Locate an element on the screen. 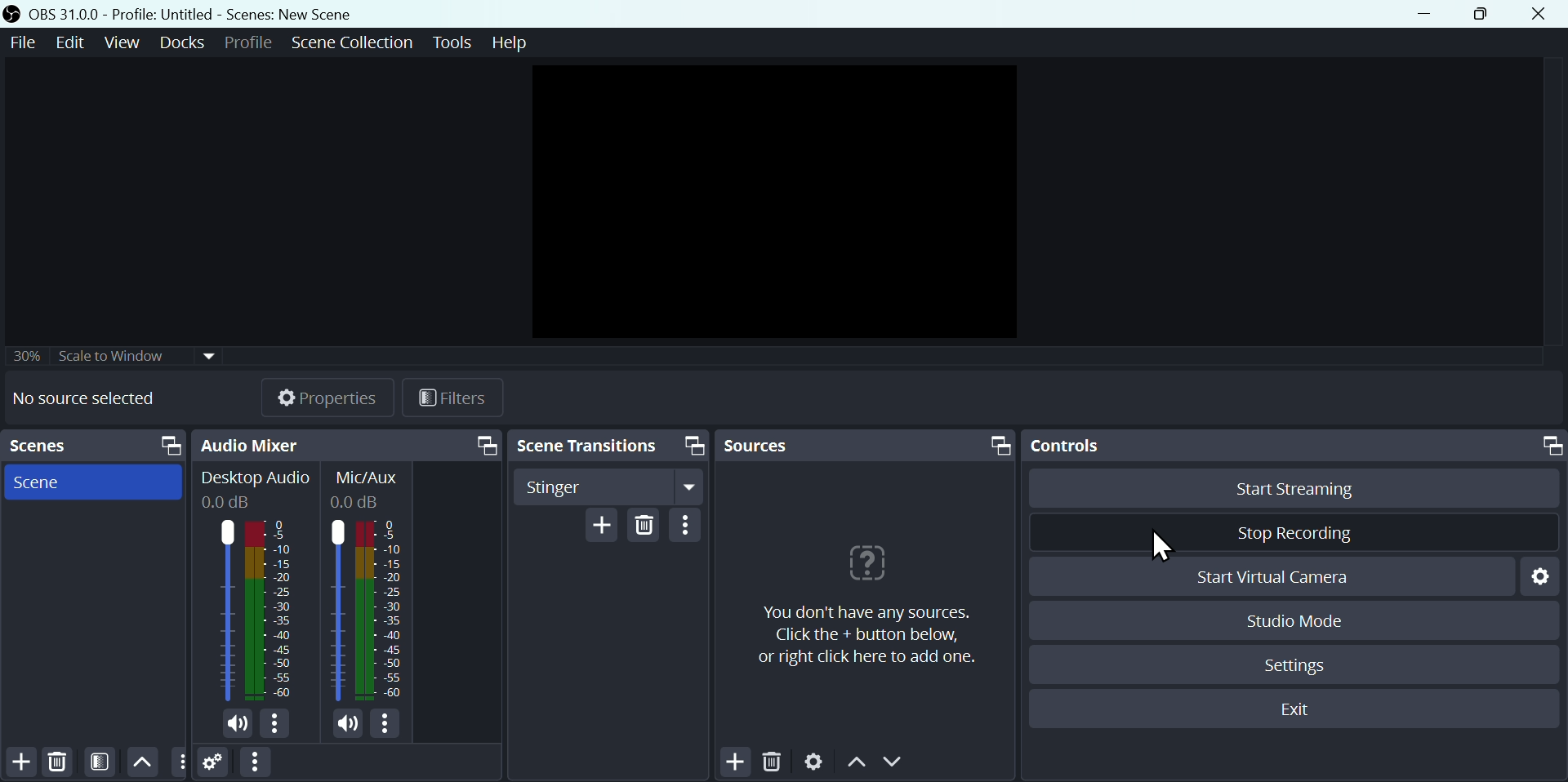 The height and width of the screenshot is (782, 1568). Delete is located at coordinates (61, 761).